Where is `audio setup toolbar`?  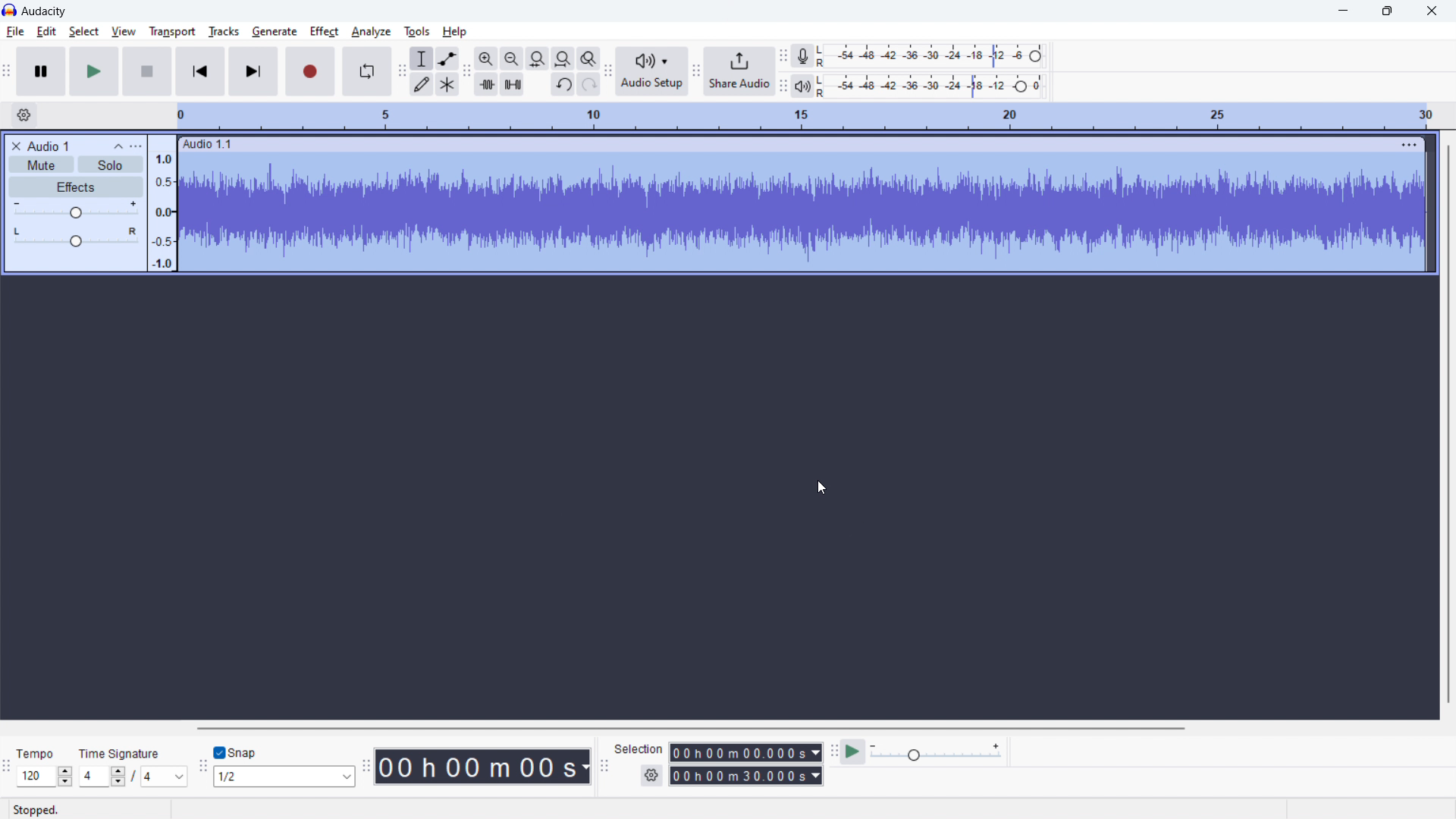 audio setup toolbar is located at coordinates (607, 71).